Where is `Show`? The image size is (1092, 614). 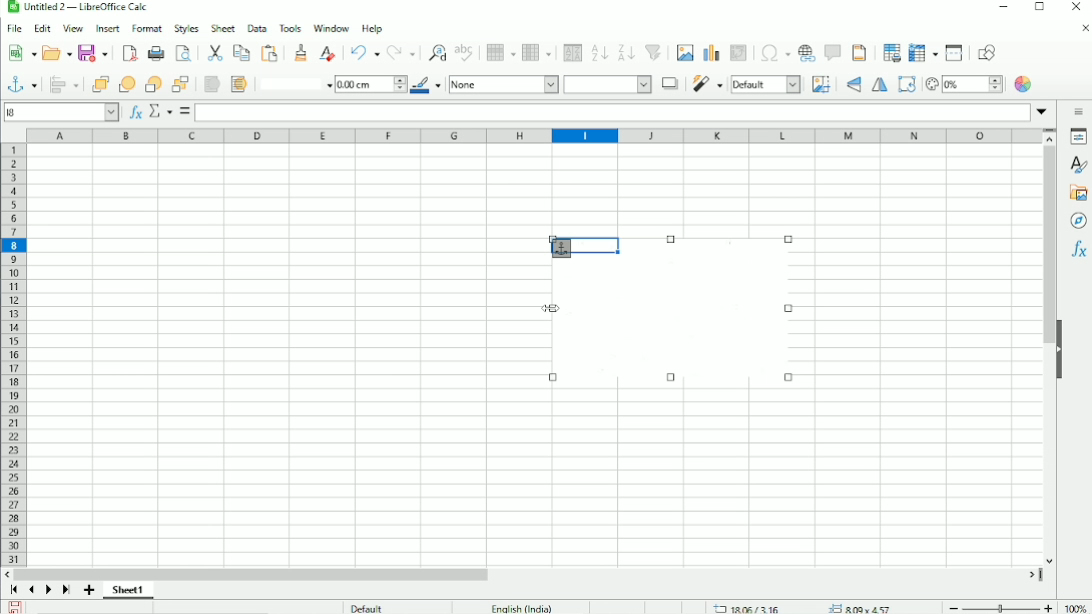 Show is located at coordinates (1059, 348).